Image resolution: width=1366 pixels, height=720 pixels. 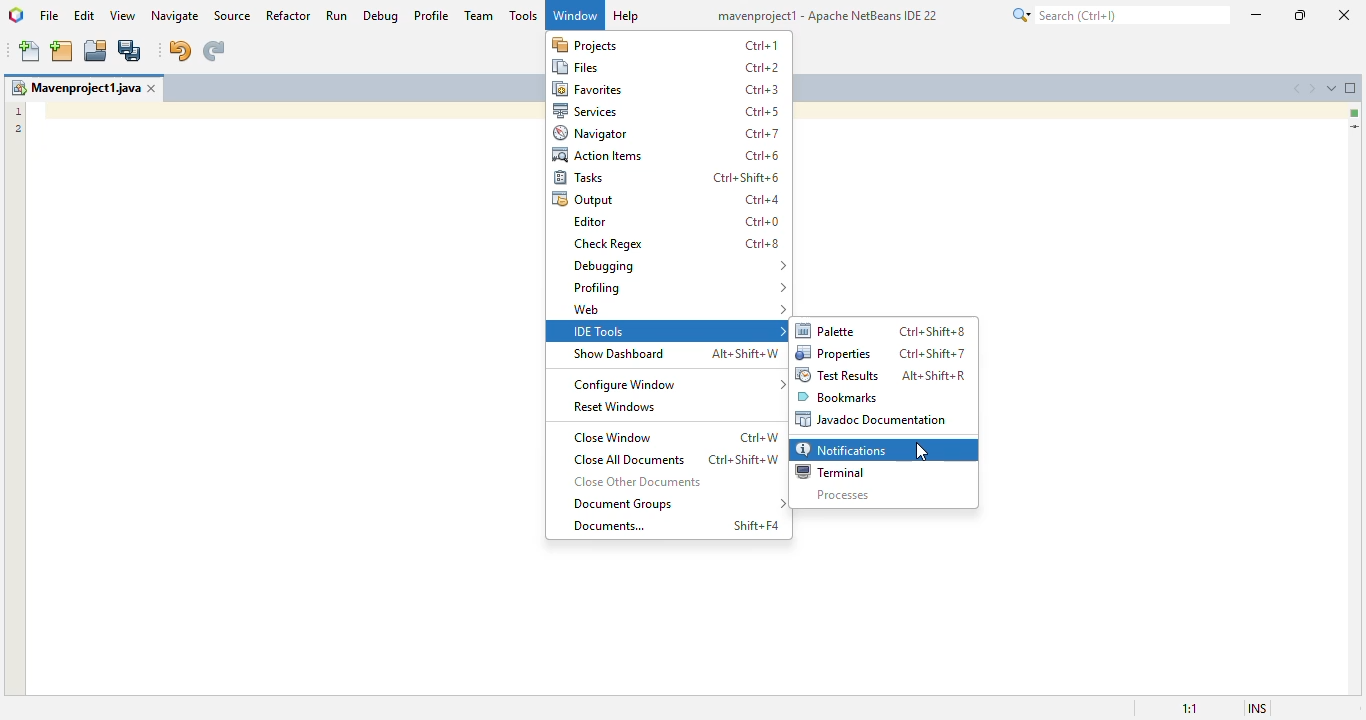 I want to click on scroll documents right, so click(x=1315, y=88).